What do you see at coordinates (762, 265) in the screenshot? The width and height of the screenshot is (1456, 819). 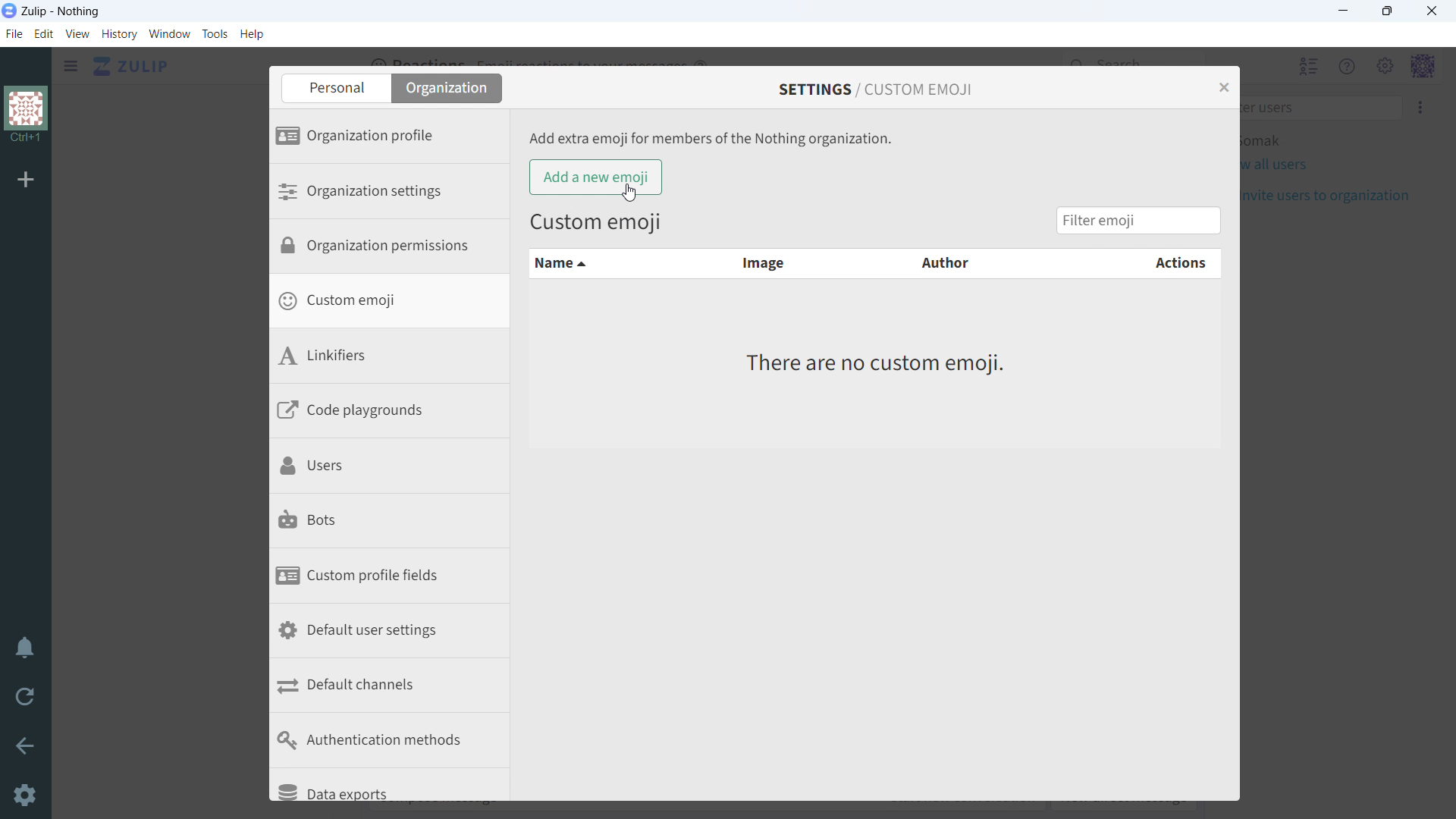 I see `image` at bounding box center [762, 265].